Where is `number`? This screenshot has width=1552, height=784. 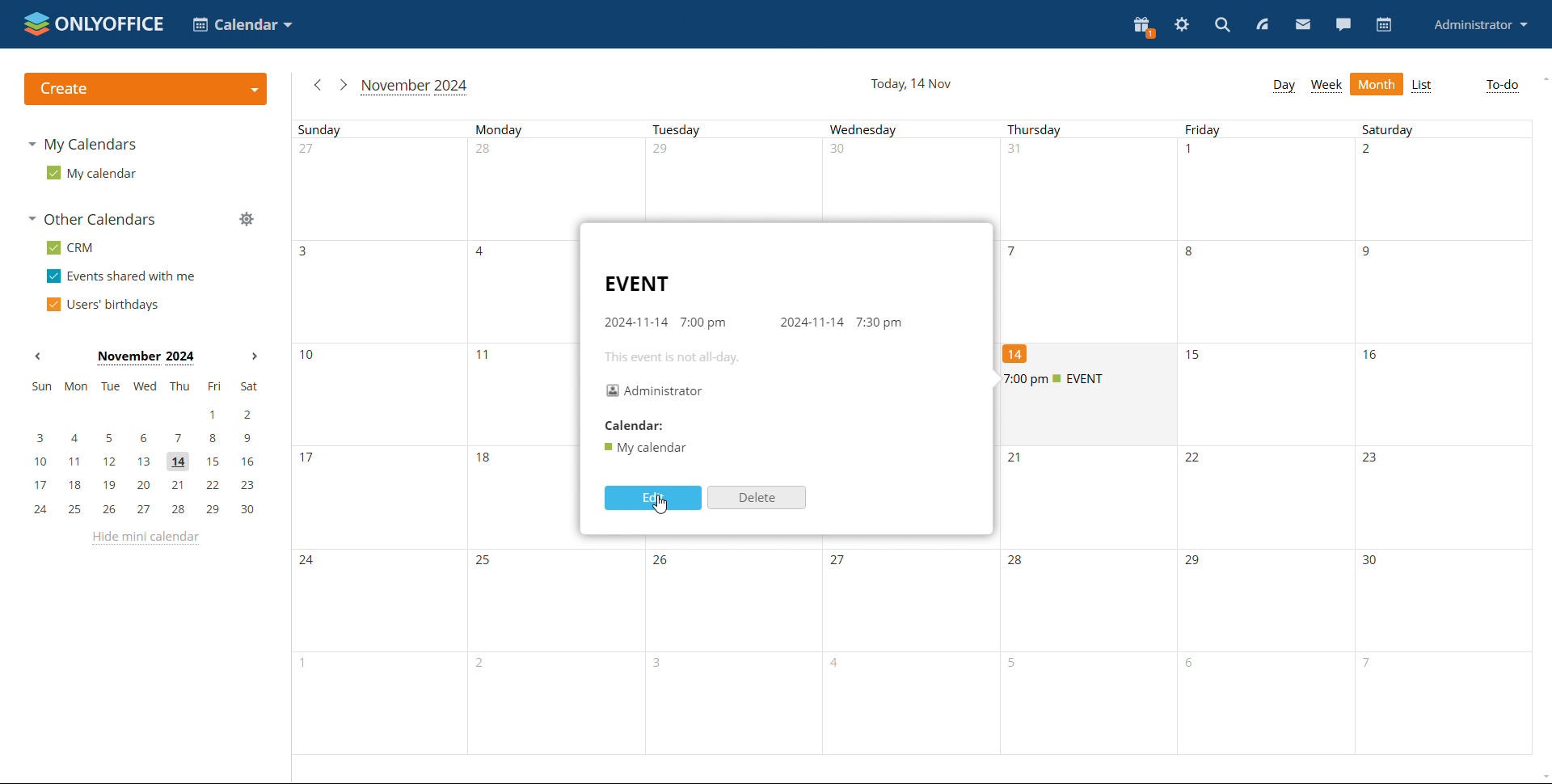
number is located at coordinates (1195, 356).